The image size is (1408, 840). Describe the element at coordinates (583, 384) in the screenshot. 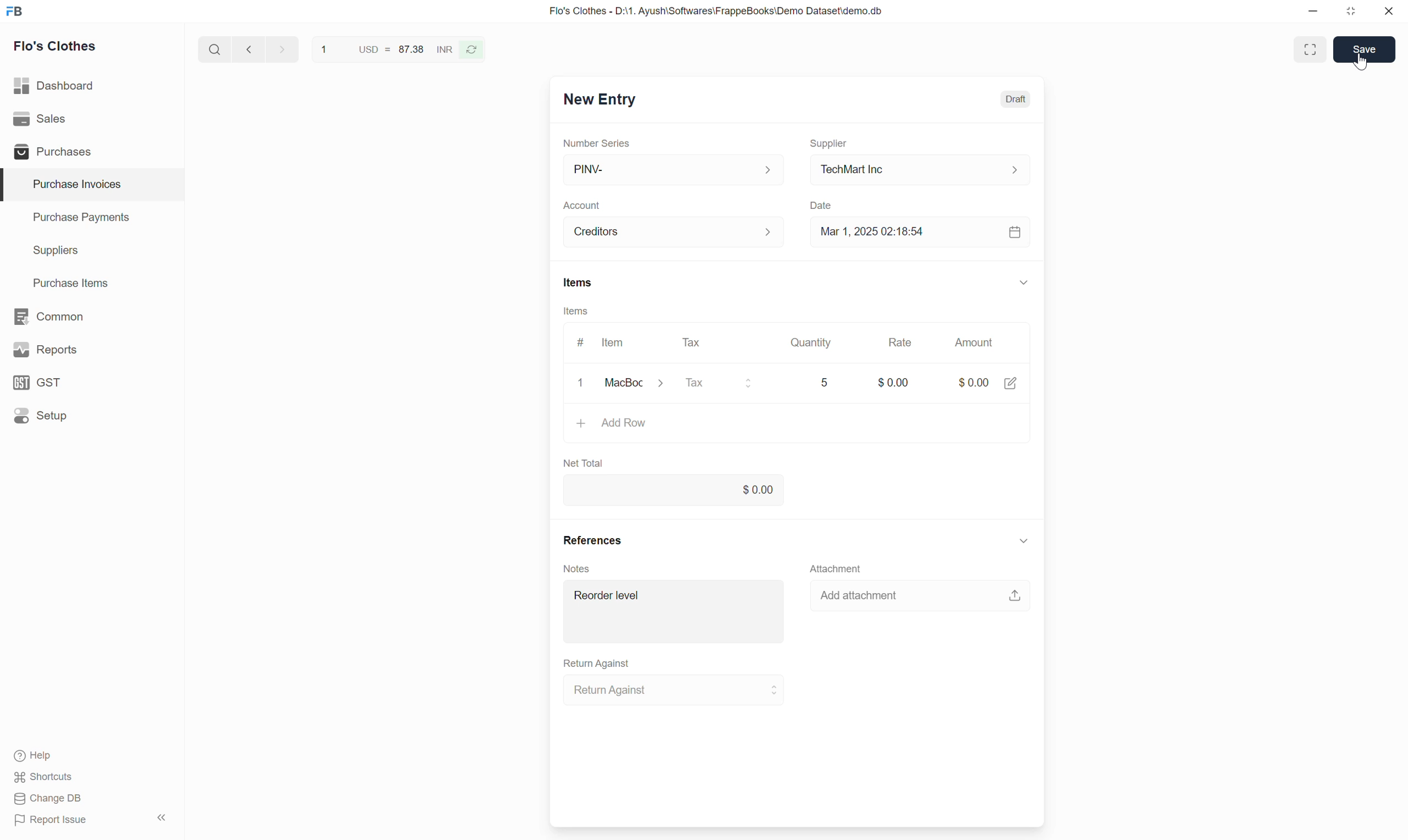

I see `clear/remove input` at that location.